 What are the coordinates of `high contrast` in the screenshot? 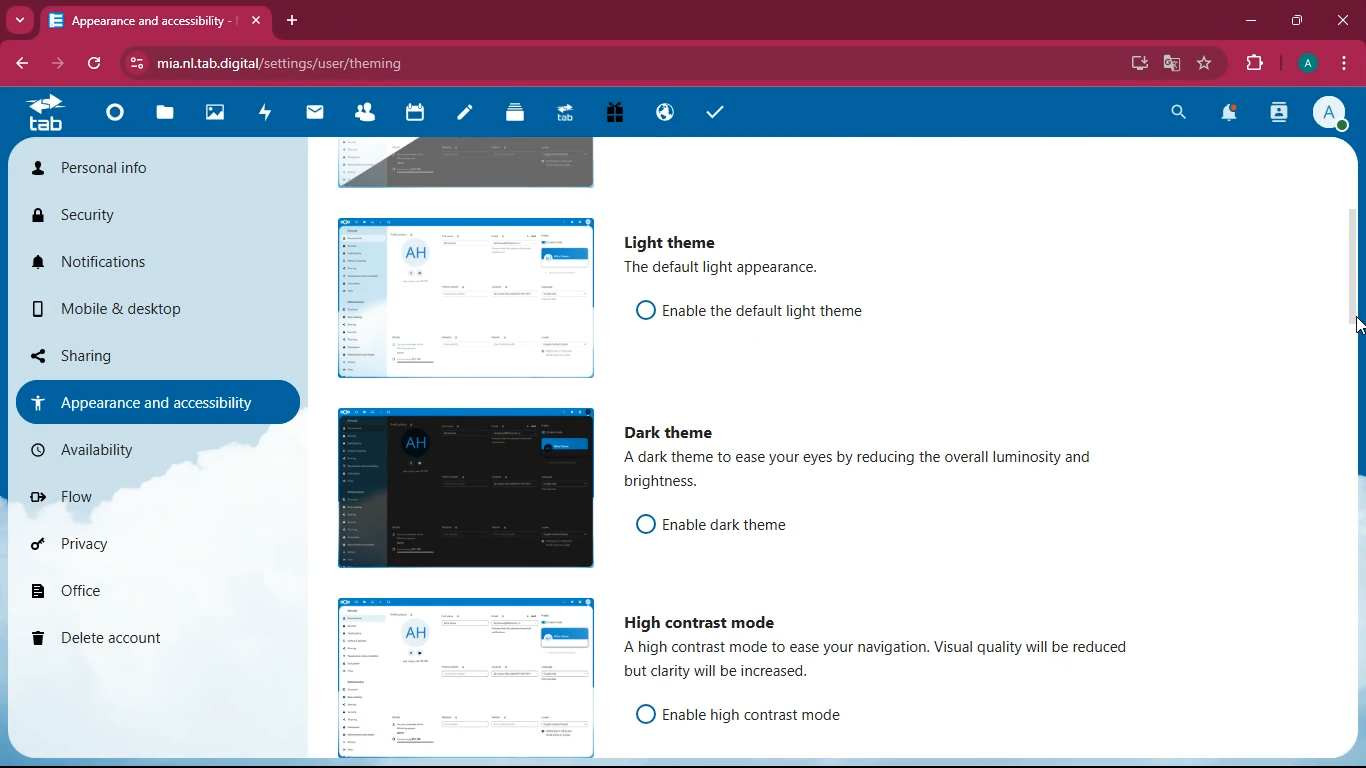 It's located at (701, 619).